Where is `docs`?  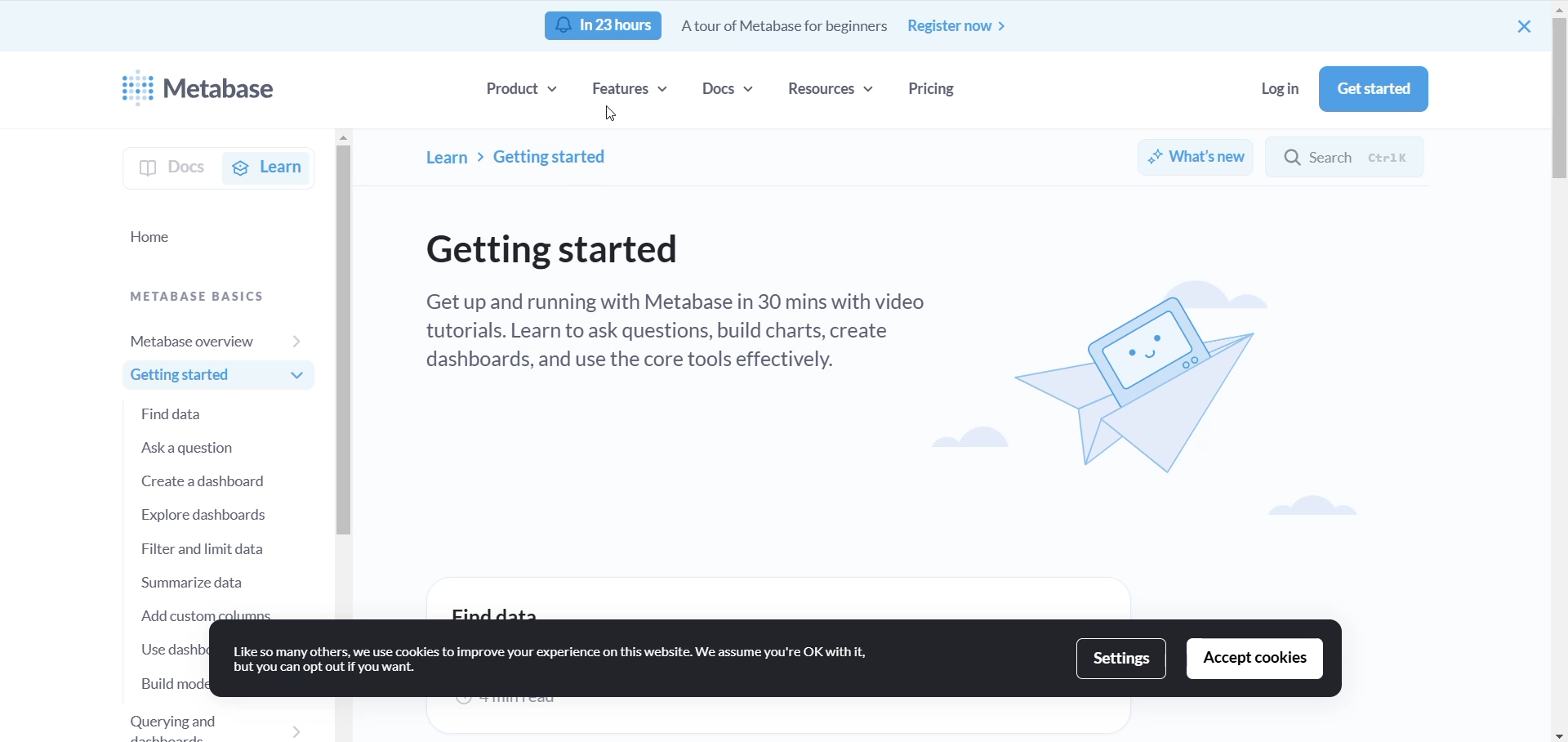
docs is located at coordinates (733, 91).